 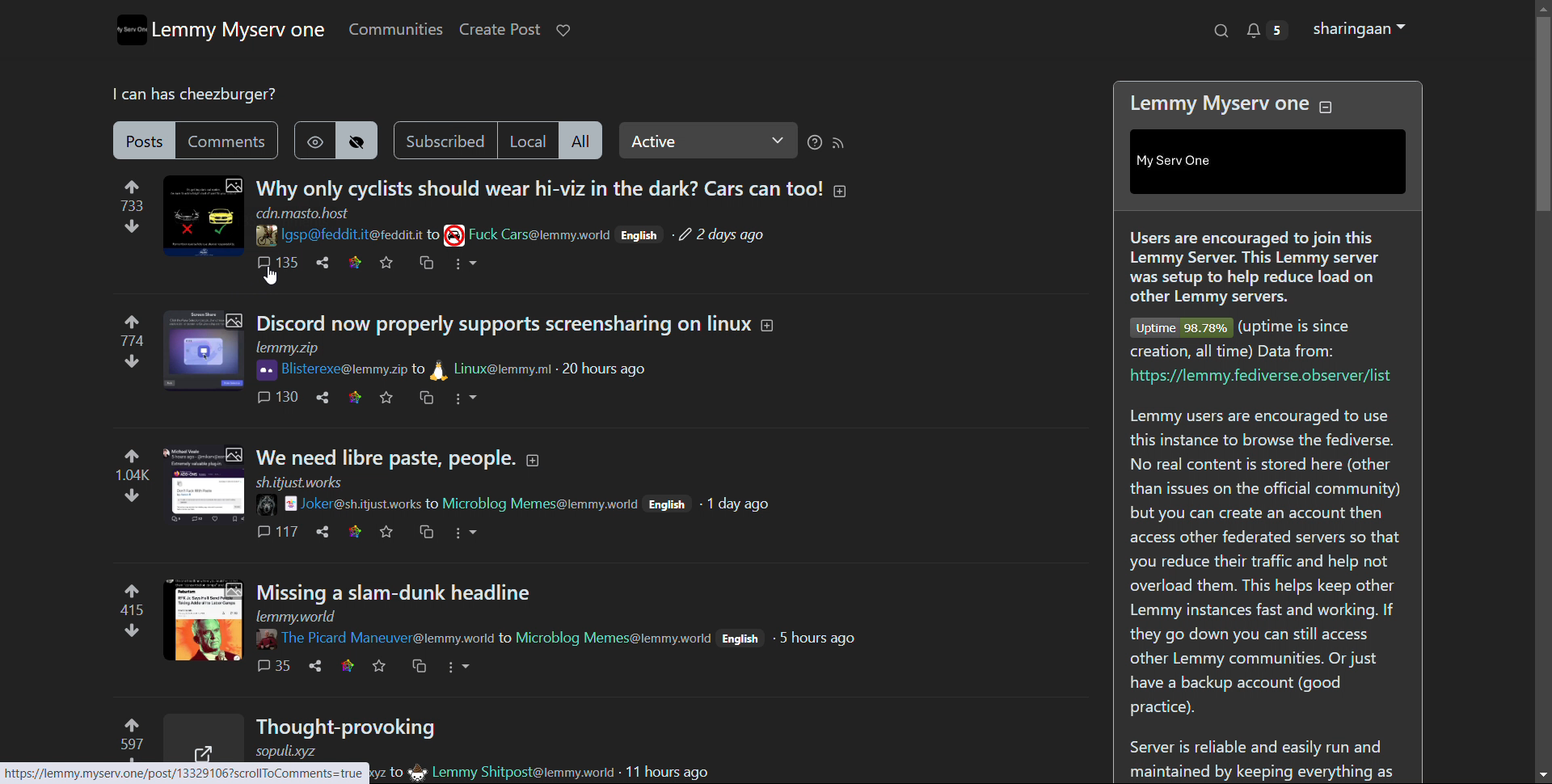 What do you see at coordinates (583, 140) in the screenshot?
I see `all` at bounding box center [583, 140].